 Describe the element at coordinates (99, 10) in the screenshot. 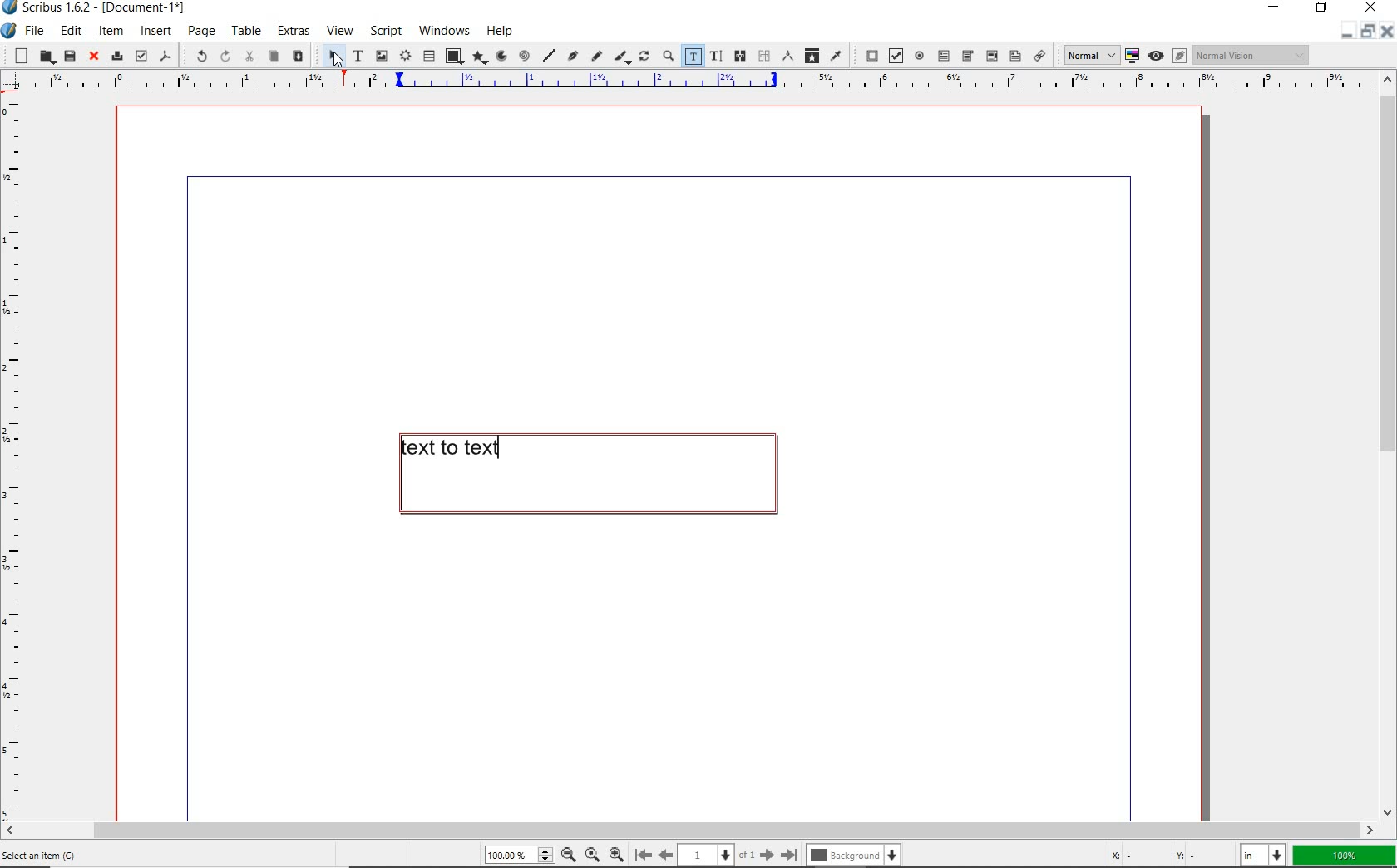

I see `Scribus 1.6.2 - [Document-1*]` at that location.